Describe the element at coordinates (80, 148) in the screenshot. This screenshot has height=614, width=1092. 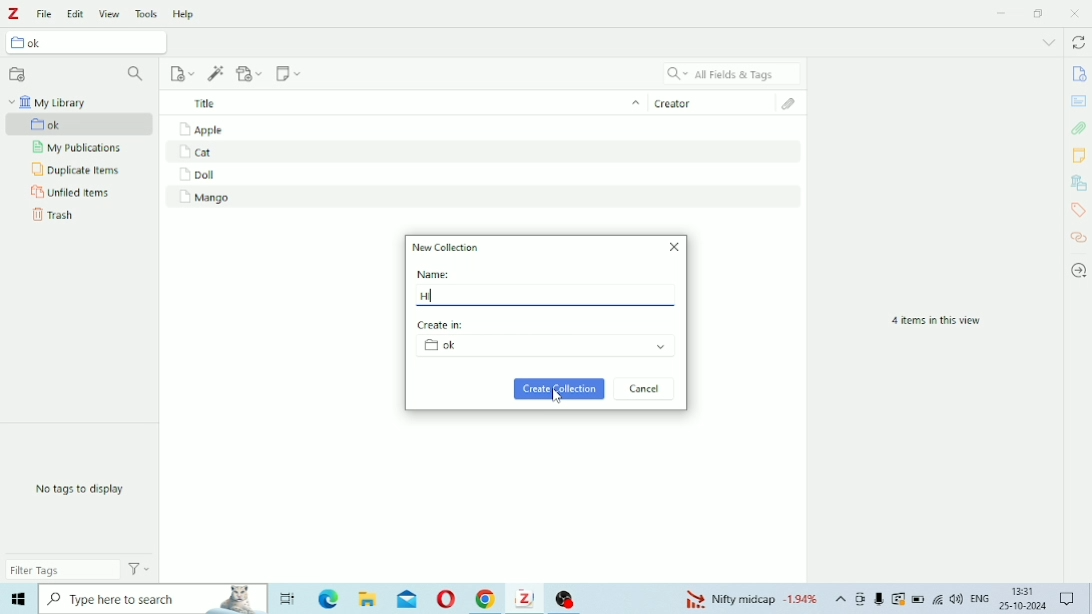
I see `My Publications` at that location.